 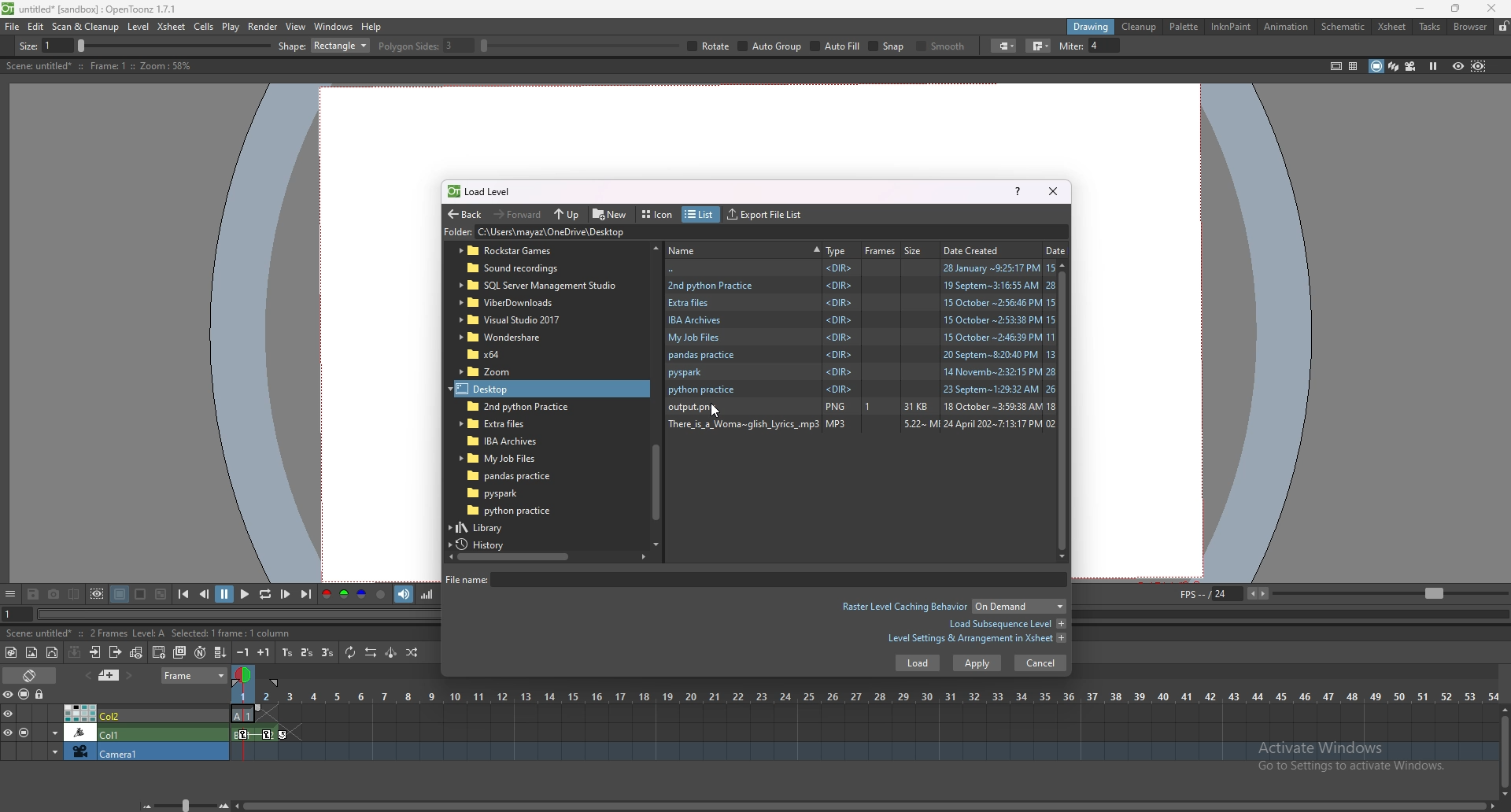 I want to click on new raster level, so click(x=31, y=653).